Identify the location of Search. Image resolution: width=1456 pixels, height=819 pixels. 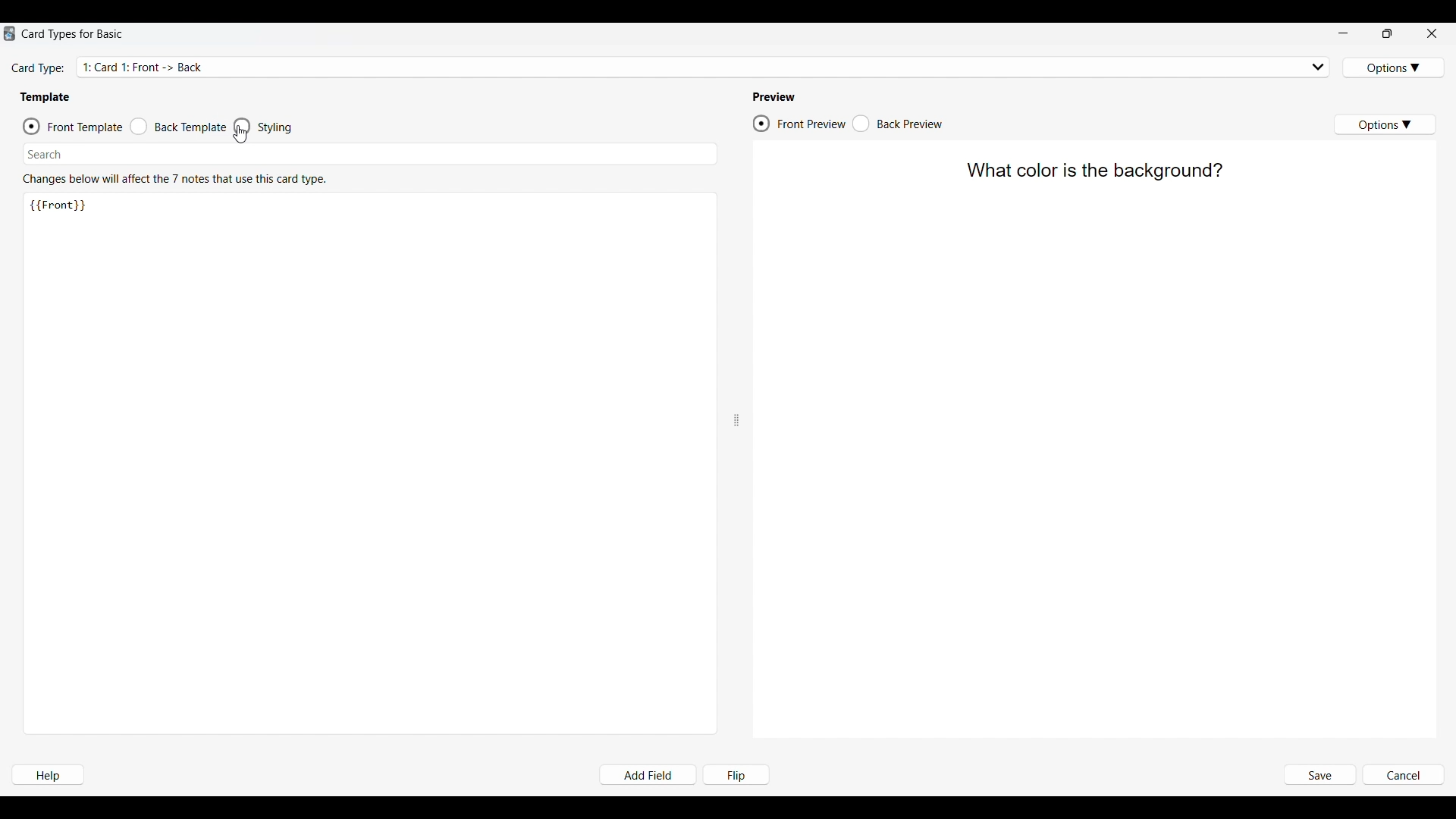
(45, 154).